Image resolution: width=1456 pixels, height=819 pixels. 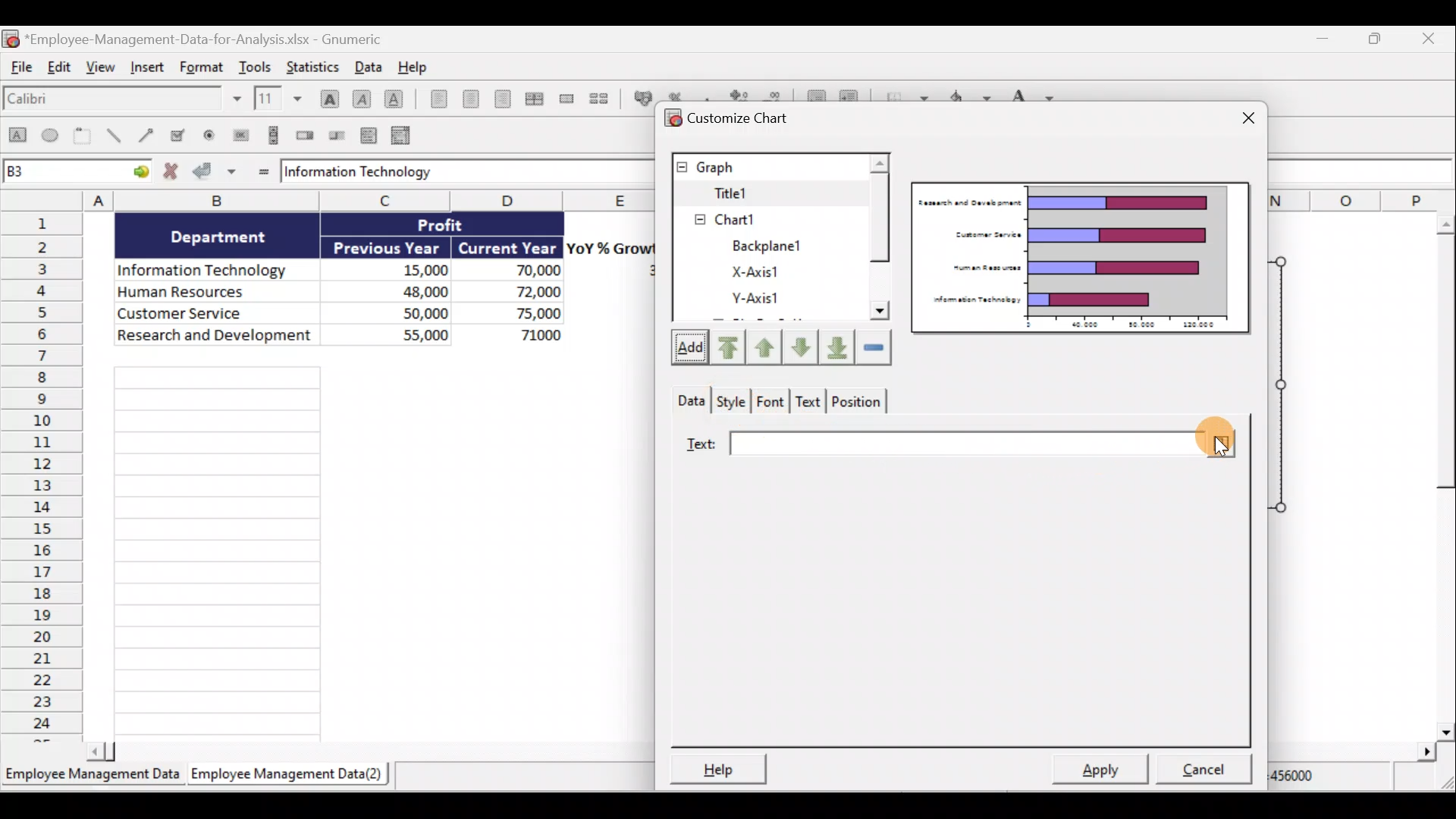 What do you see at coordinates (726, 347) in the screenshot?
I see `Move top` at bounding box center [726, 347].